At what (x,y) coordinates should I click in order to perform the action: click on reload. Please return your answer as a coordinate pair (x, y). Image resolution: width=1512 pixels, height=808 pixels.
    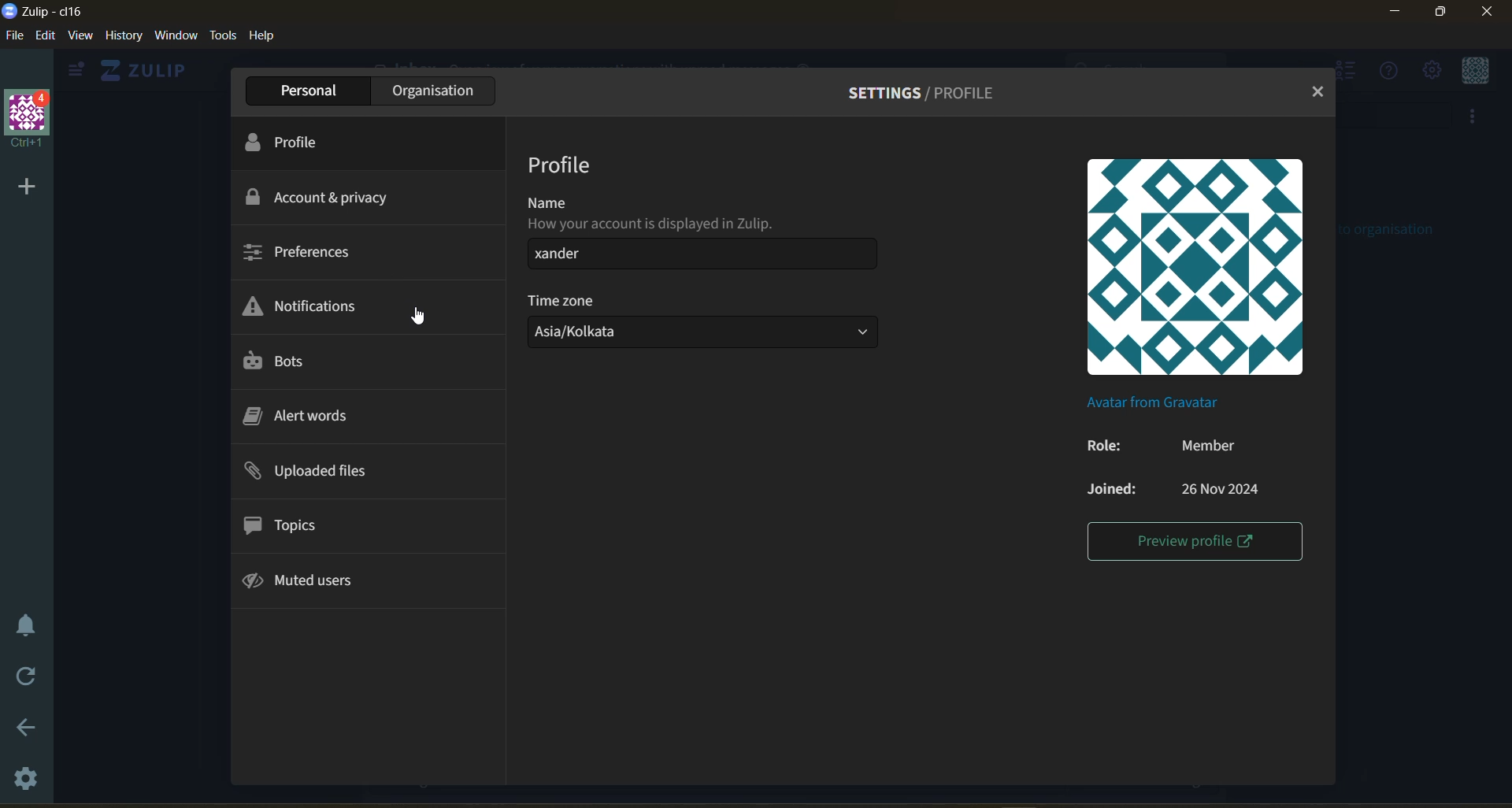
    Looking at the image, I should click on (28, 677).